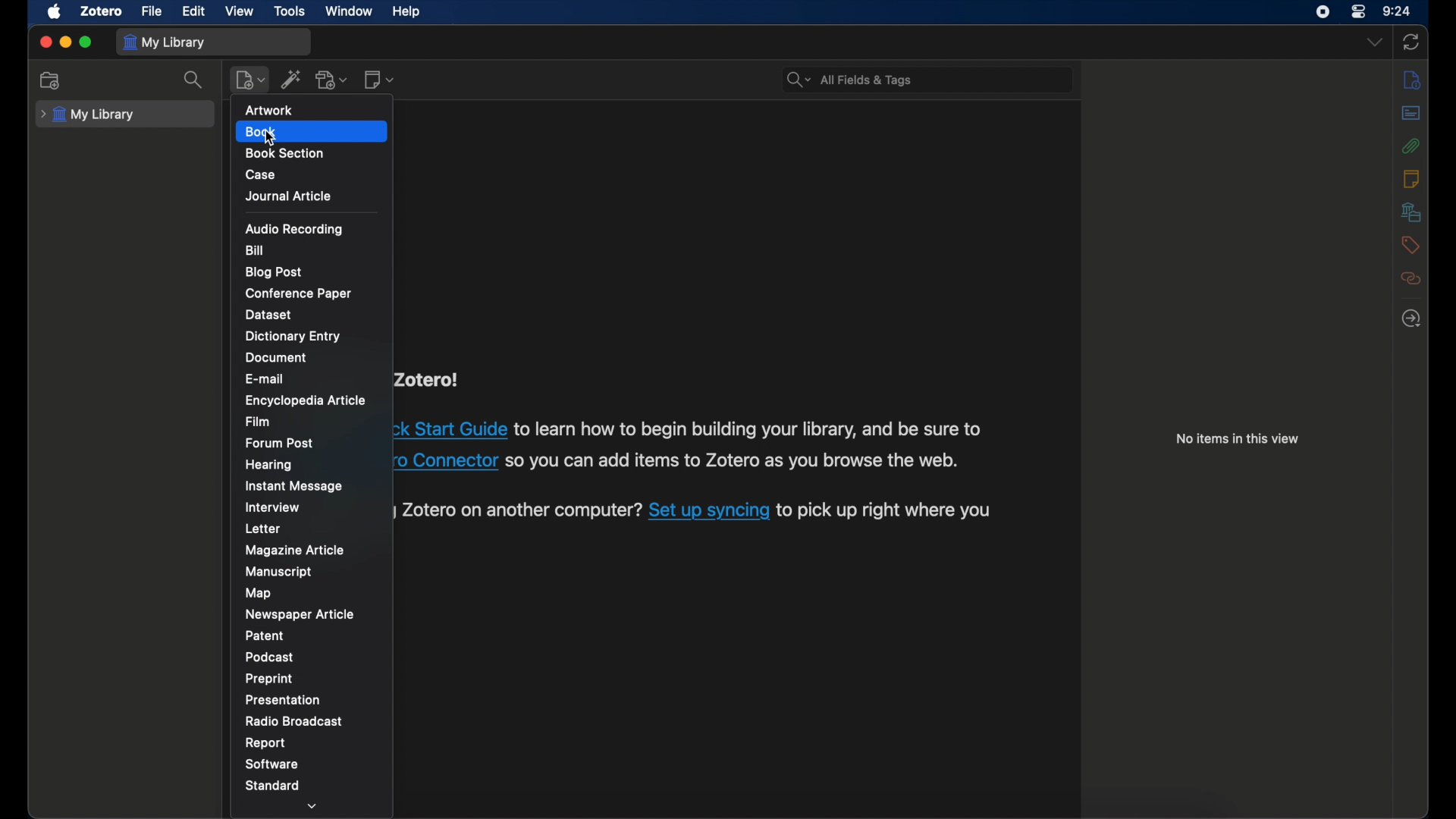  What do you see at coordinates (1411, 319) in the screenshot?
I see `locate` at bounding box center [1411, 319].